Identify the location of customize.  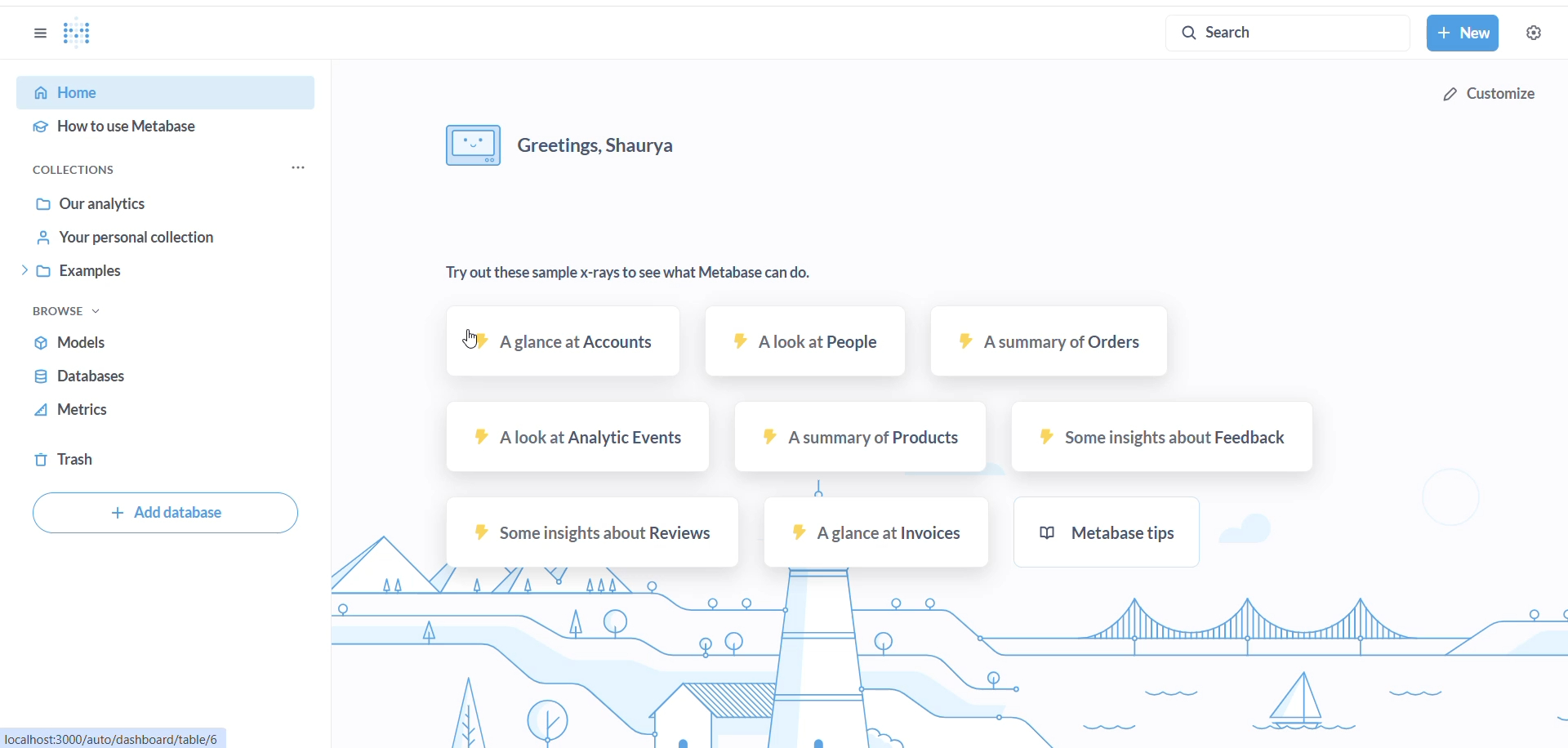
(1489, 93).